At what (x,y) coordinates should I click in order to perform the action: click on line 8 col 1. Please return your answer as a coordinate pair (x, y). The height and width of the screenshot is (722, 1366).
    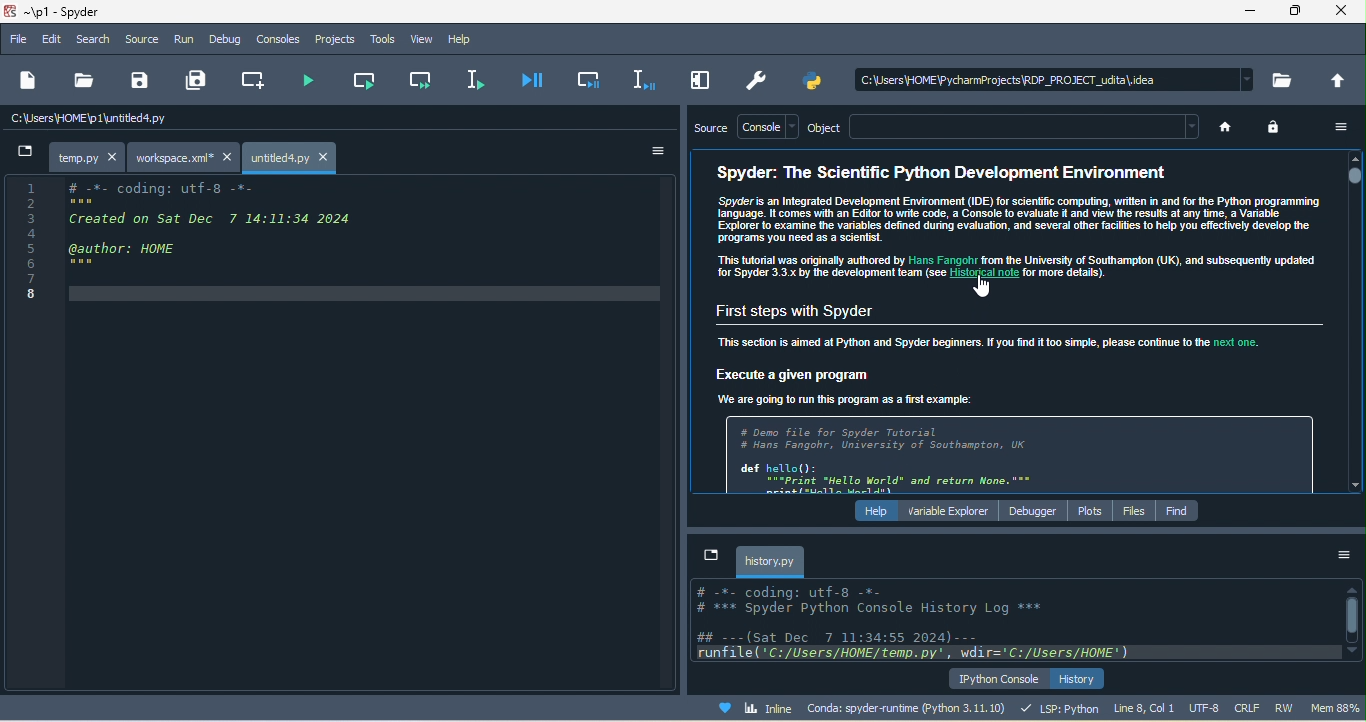
    Looking at the image, I should click on (1147, 709).